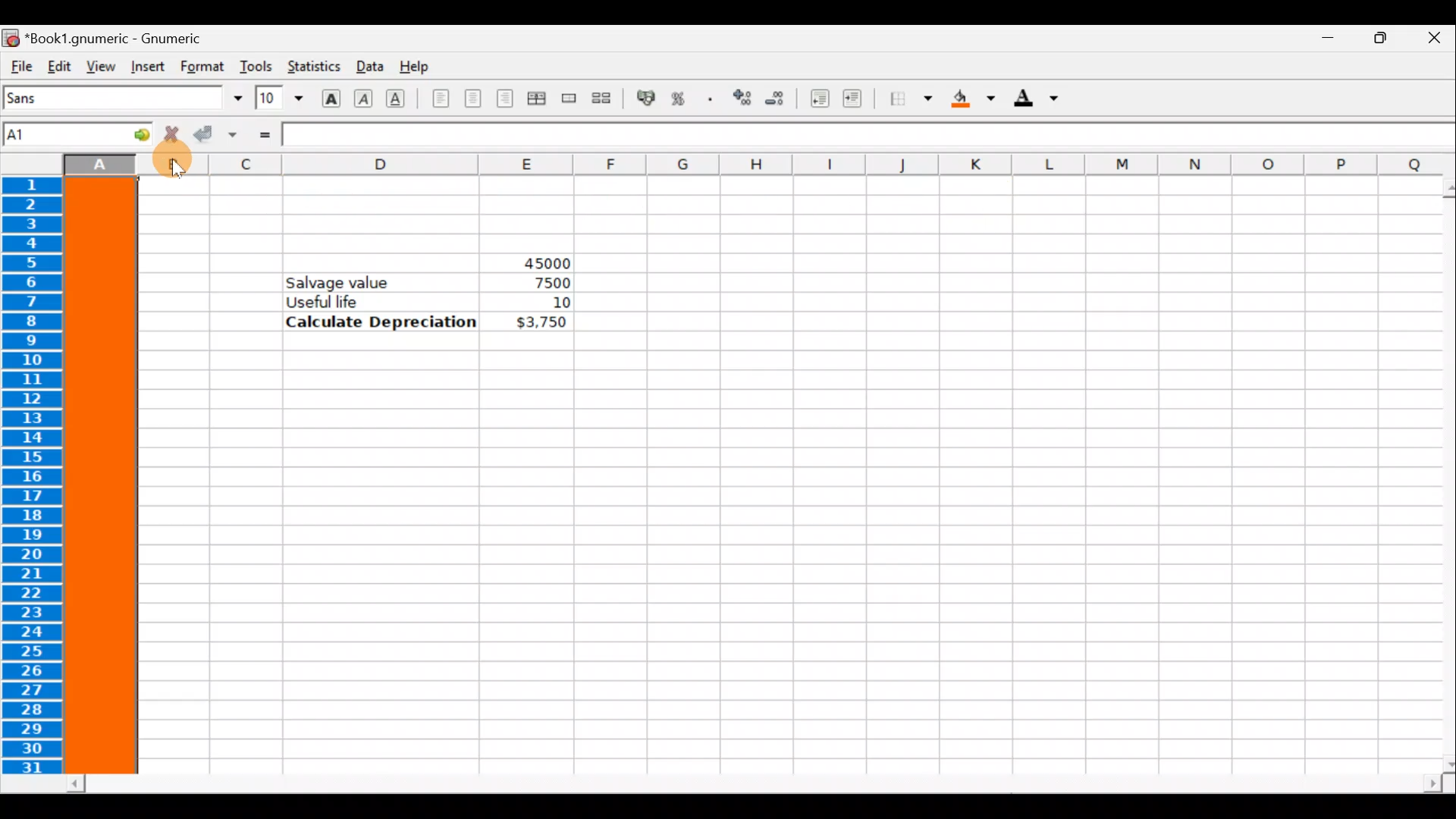 This screenshot has height=819, width=1456. Describe the element at coordinates (176, 171) in the screenshot. I see `Cursor on column B` at that location.